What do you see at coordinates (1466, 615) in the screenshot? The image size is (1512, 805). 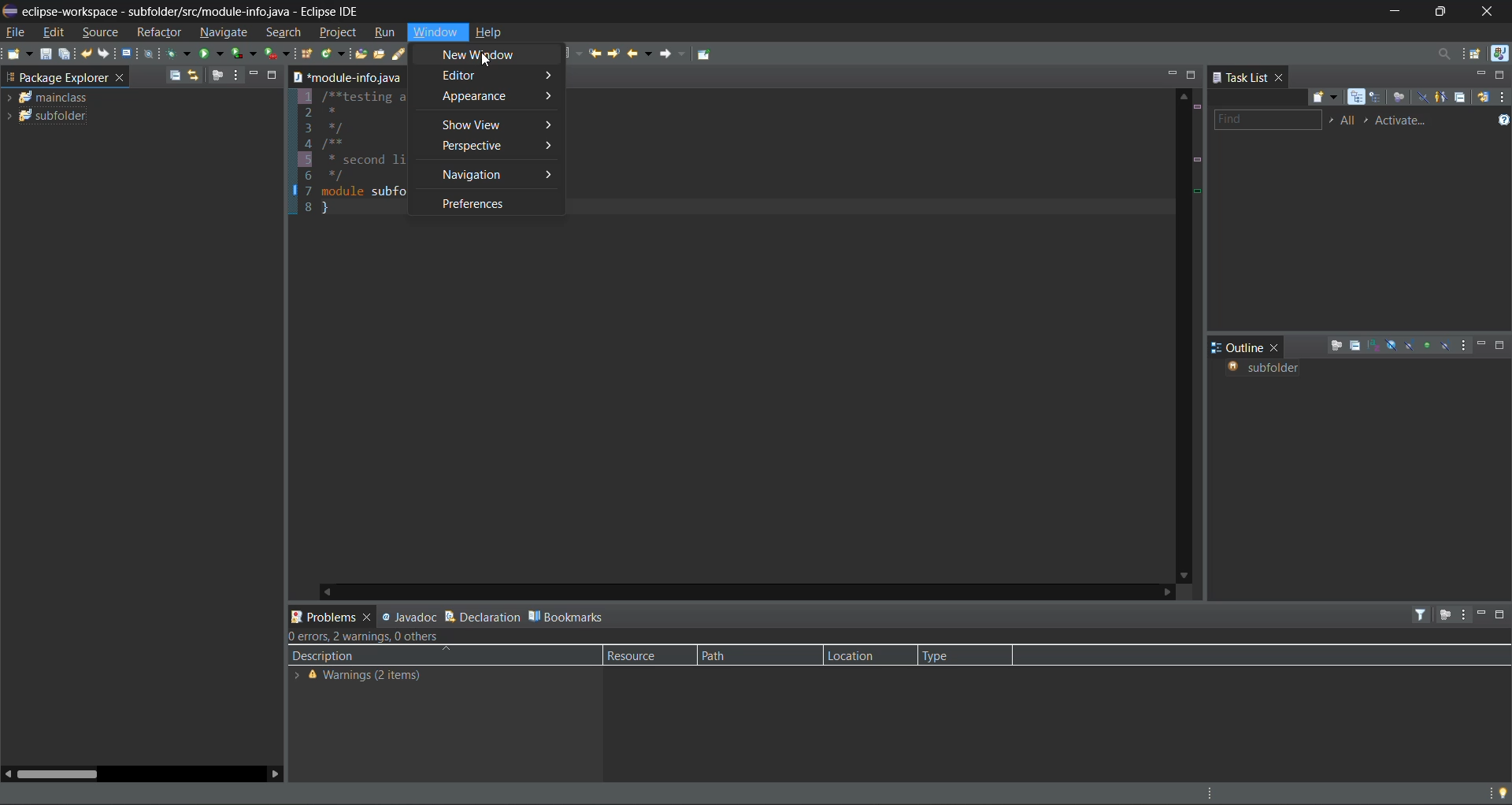 I see `view menu` at bounding box center [1466, 615].